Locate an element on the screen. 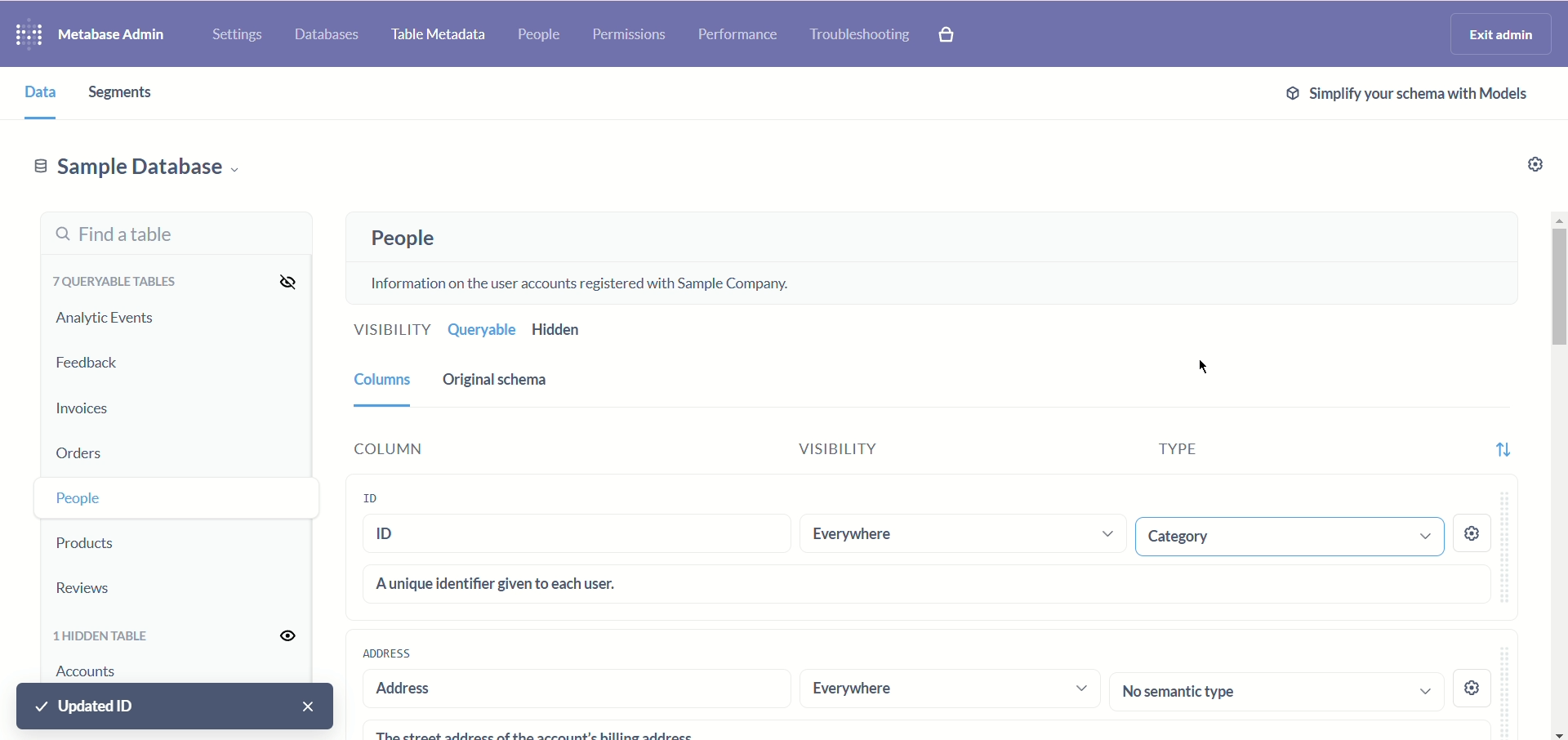  Performance is located at coordinates (736, 35).